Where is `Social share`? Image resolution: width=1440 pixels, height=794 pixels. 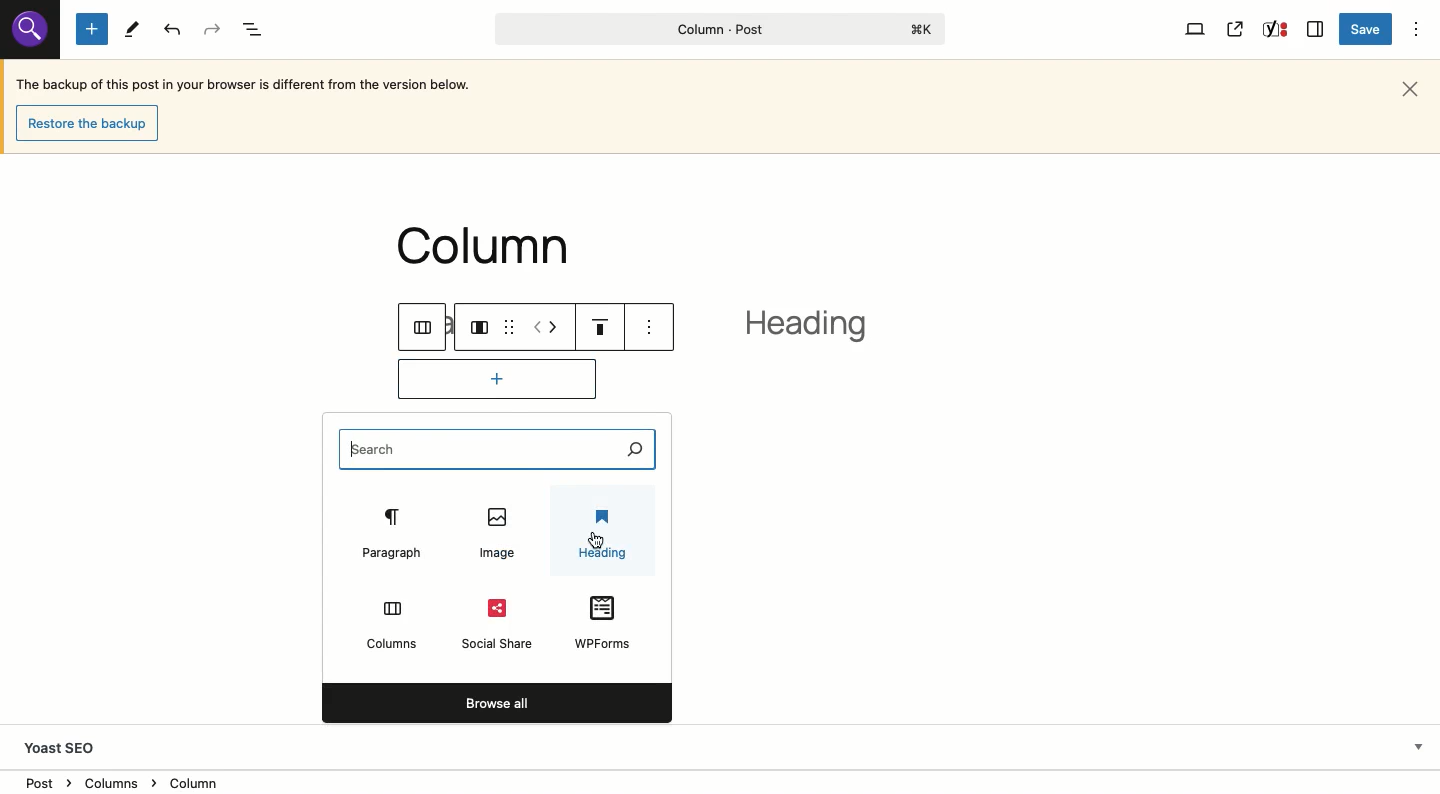
Social share is located at coordinates (490, 622).